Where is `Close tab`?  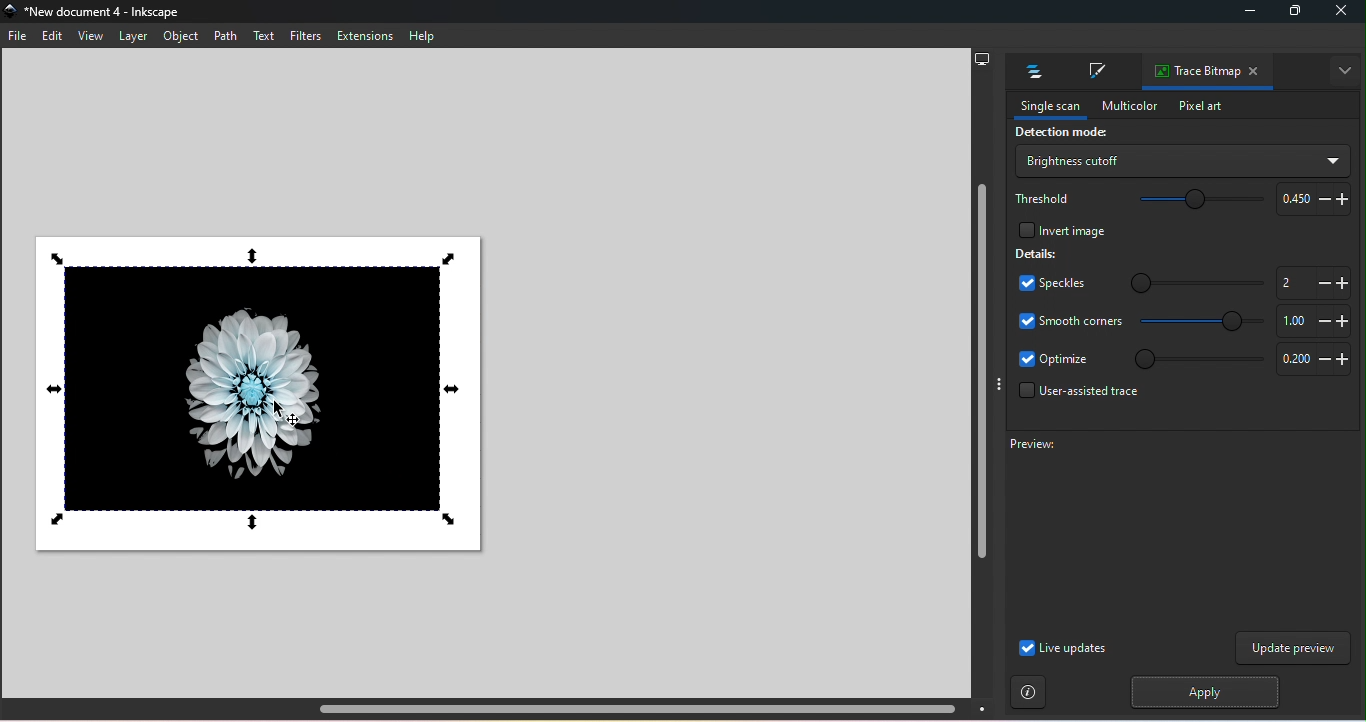
Close tab is located at coordinates (1254, 72).